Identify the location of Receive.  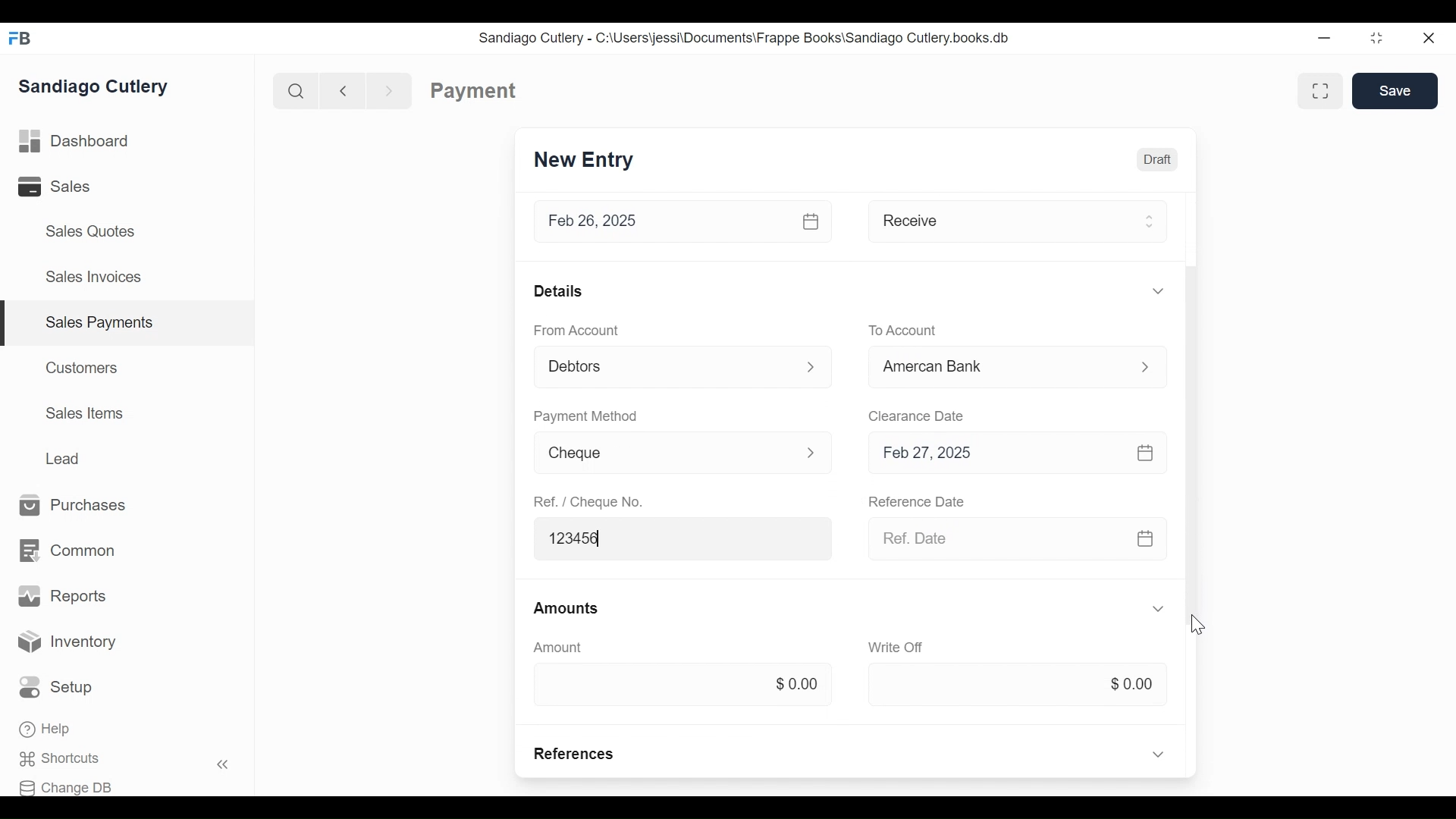
(995, 220).